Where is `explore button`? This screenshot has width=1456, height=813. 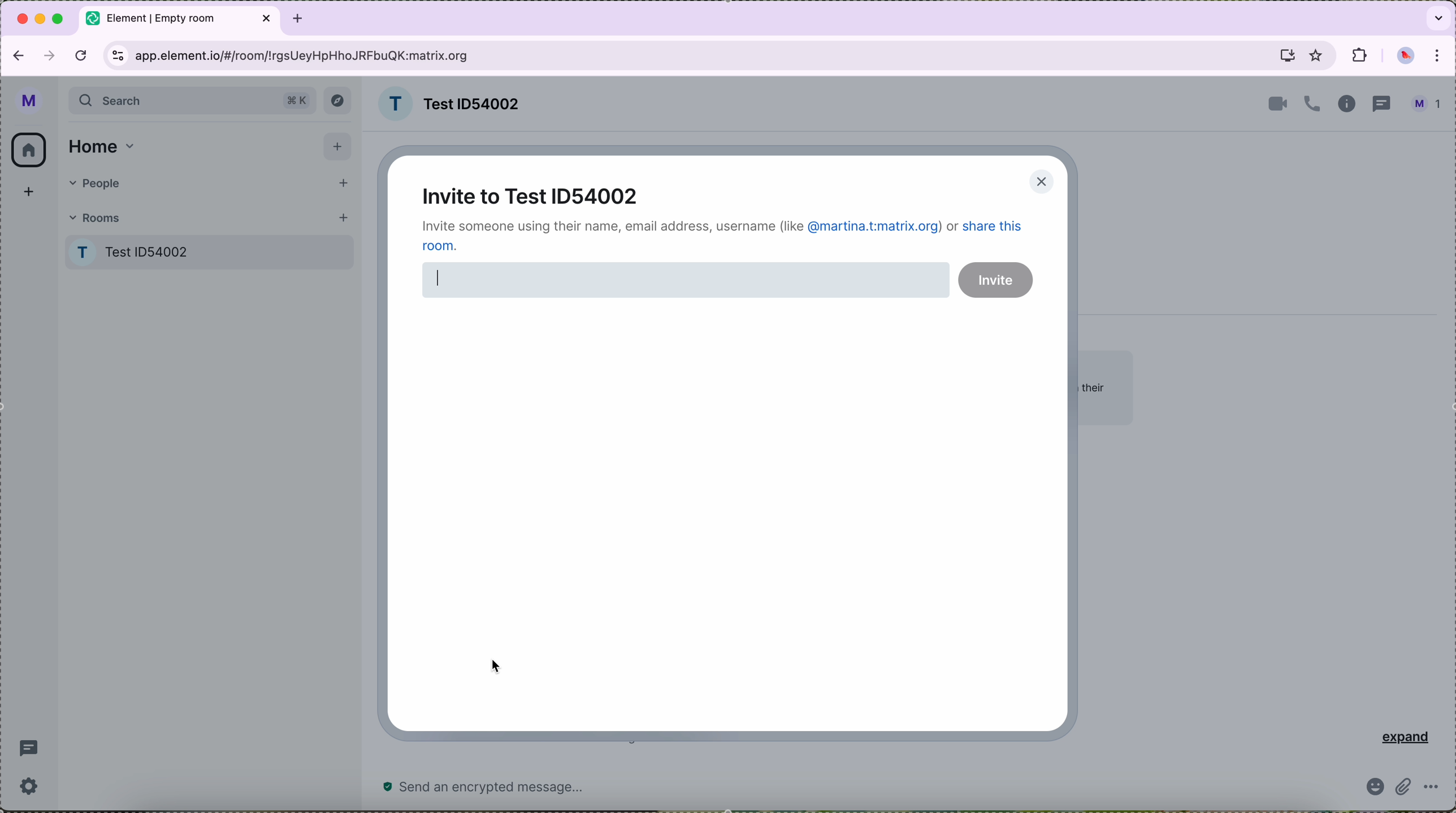
explore button is located at coordinates (338, 101).